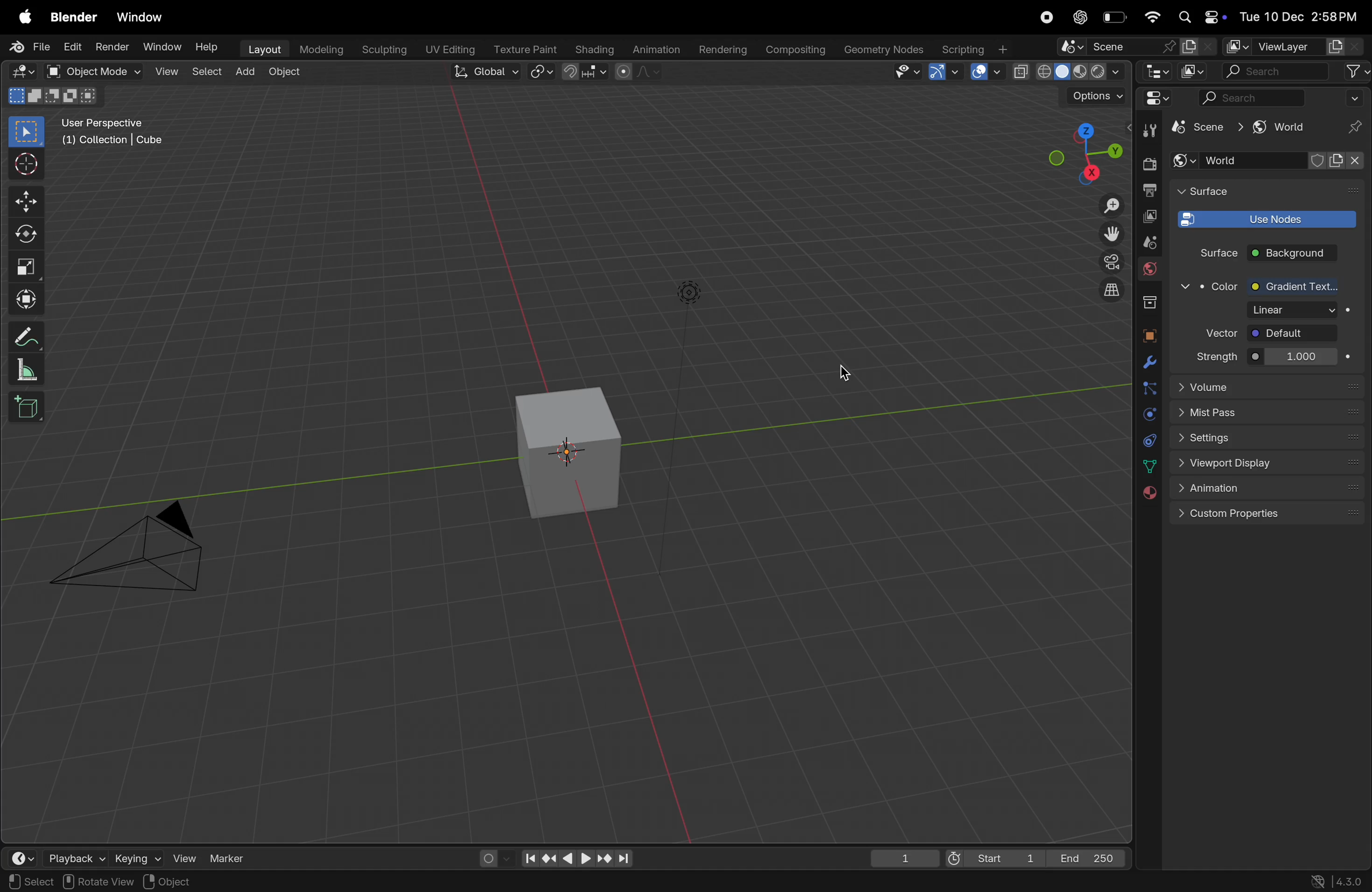 Image resolution: width=1372 pixels, height=892 pixels. What do you see at coordinates (31, 407) in the screenshot?
I see `add cube` at bounding box center [31, 407].